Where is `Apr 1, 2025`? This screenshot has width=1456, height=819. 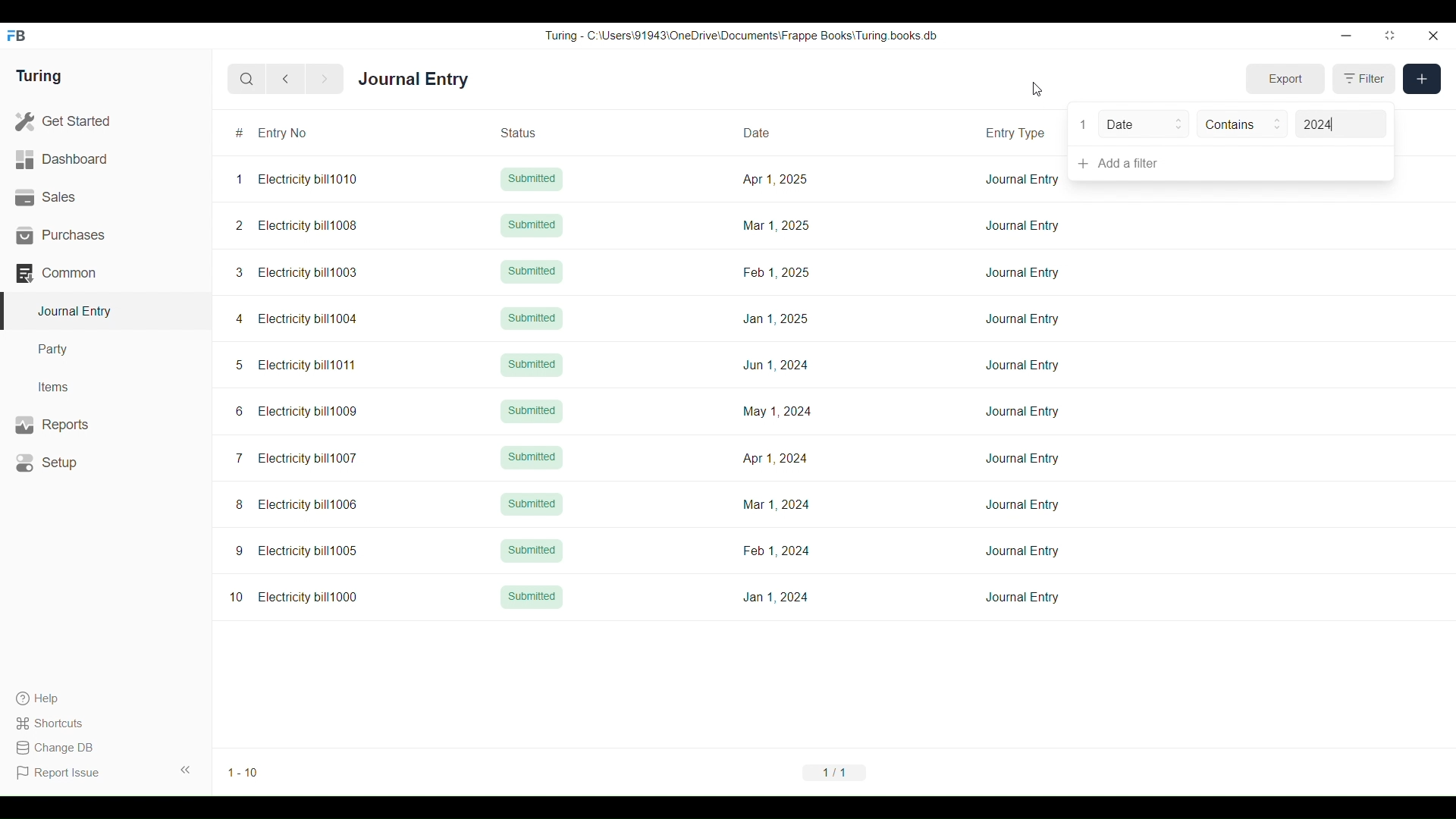
Apr 1, 2025 is located at coordinates (774, 178).